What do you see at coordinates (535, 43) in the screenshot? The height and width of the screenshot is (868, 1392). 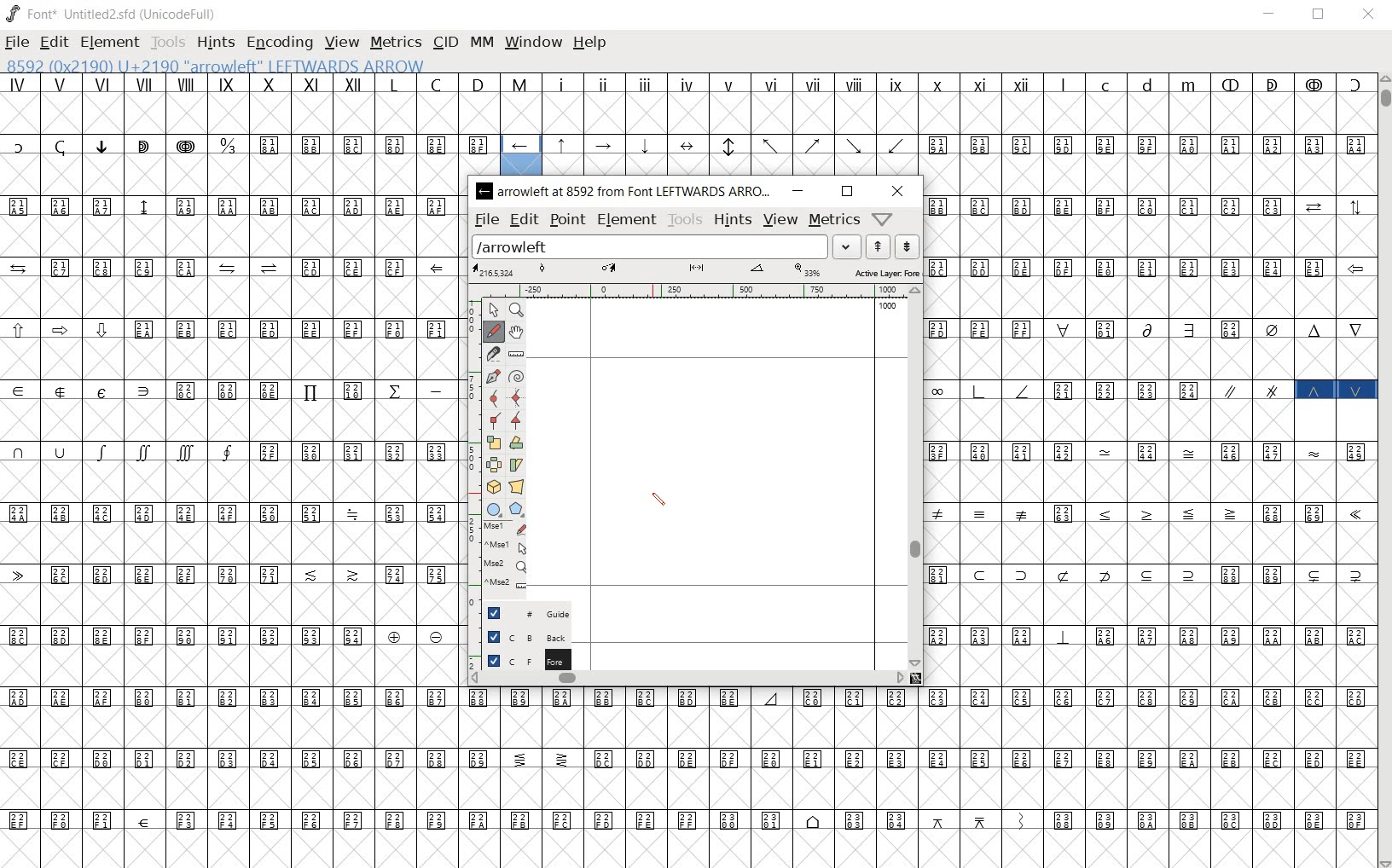 I see `window` at bounding box center [535, 43].